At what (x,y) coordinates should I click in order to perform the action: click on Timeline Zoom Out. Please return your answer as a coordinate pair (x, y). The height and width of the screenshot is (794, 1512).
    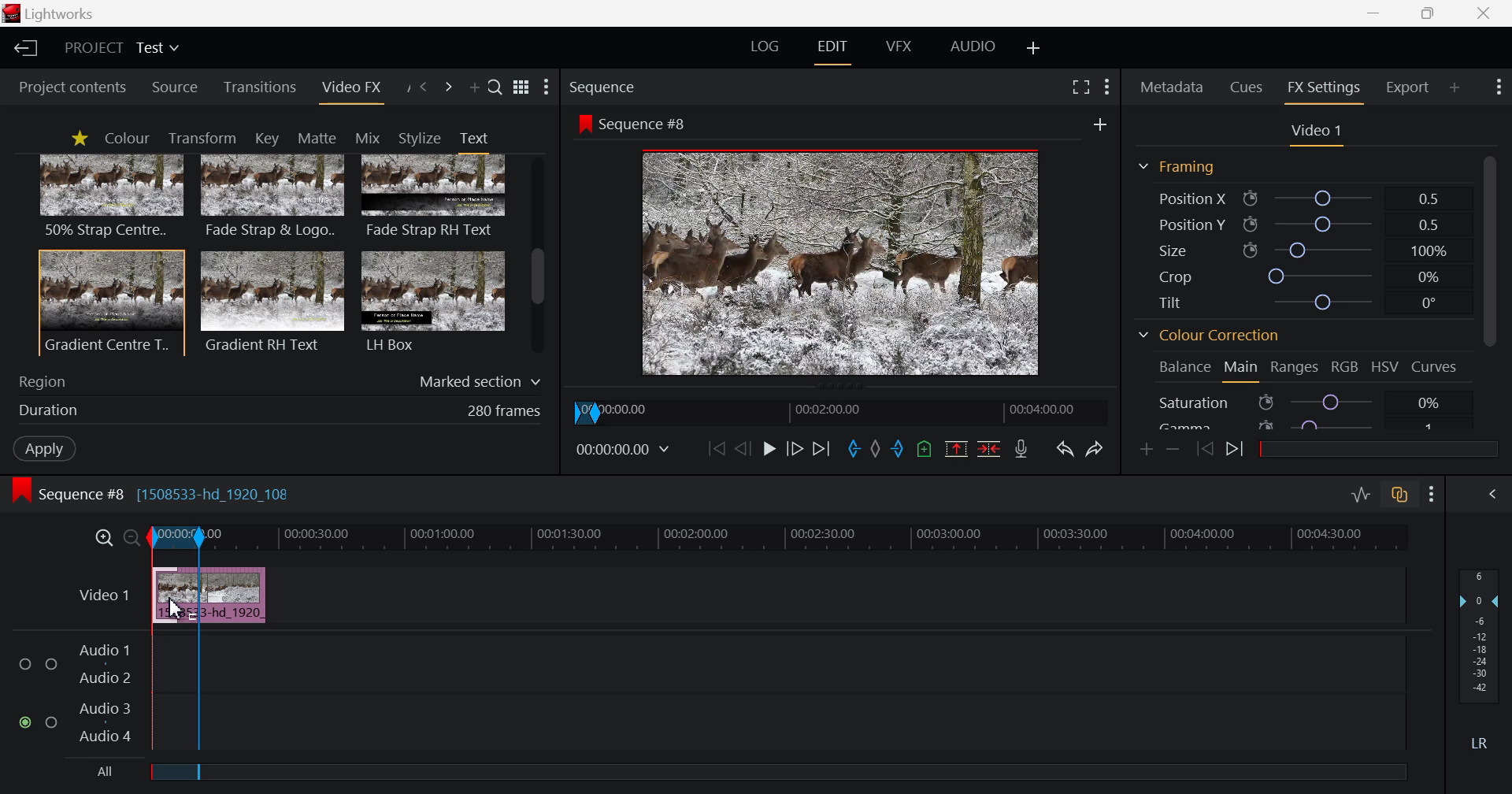
    Looking at the image, I should click on (132, 534).